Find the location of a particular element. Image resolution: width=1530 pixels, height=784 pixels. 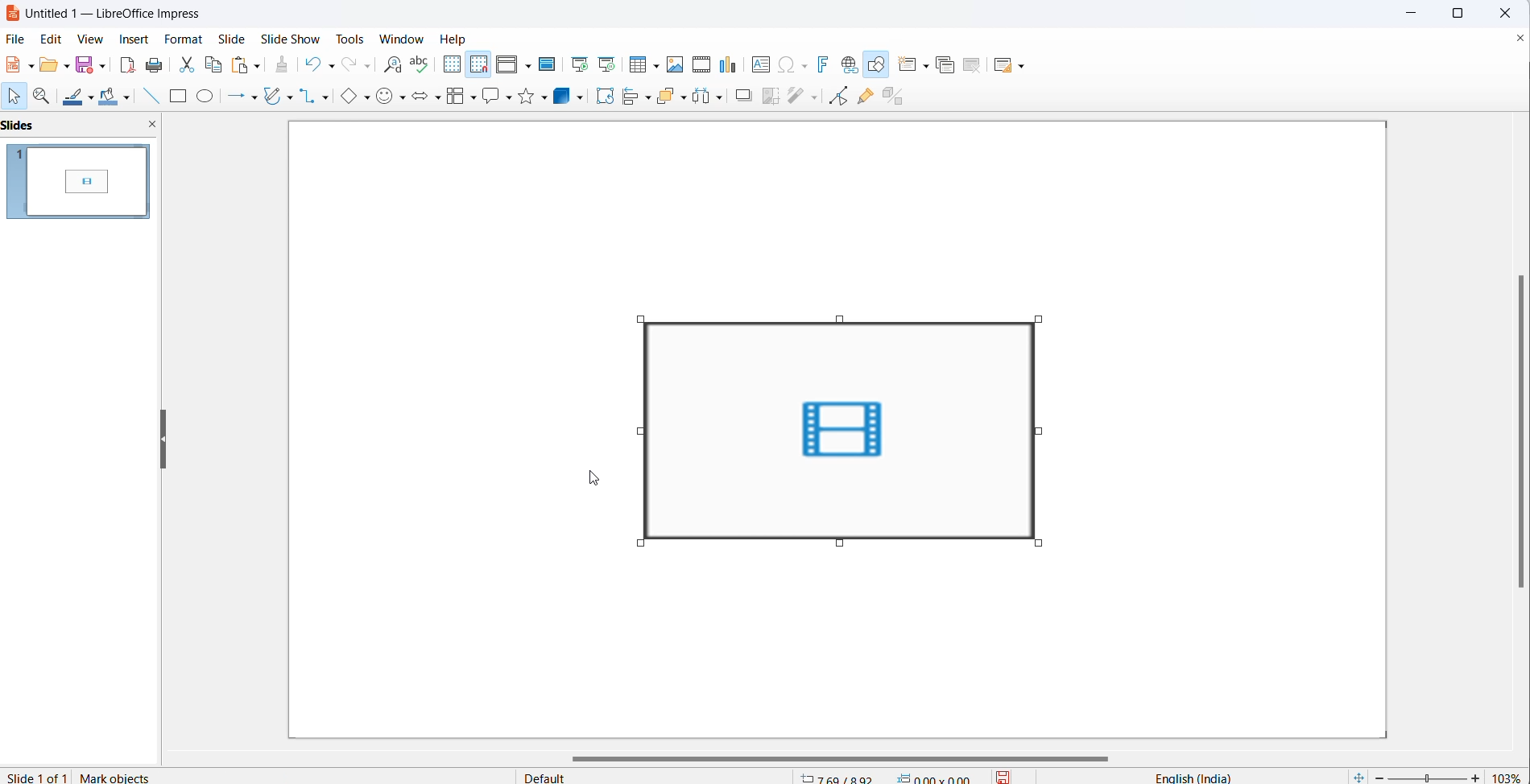

star options is located at coordinates (544, 98).